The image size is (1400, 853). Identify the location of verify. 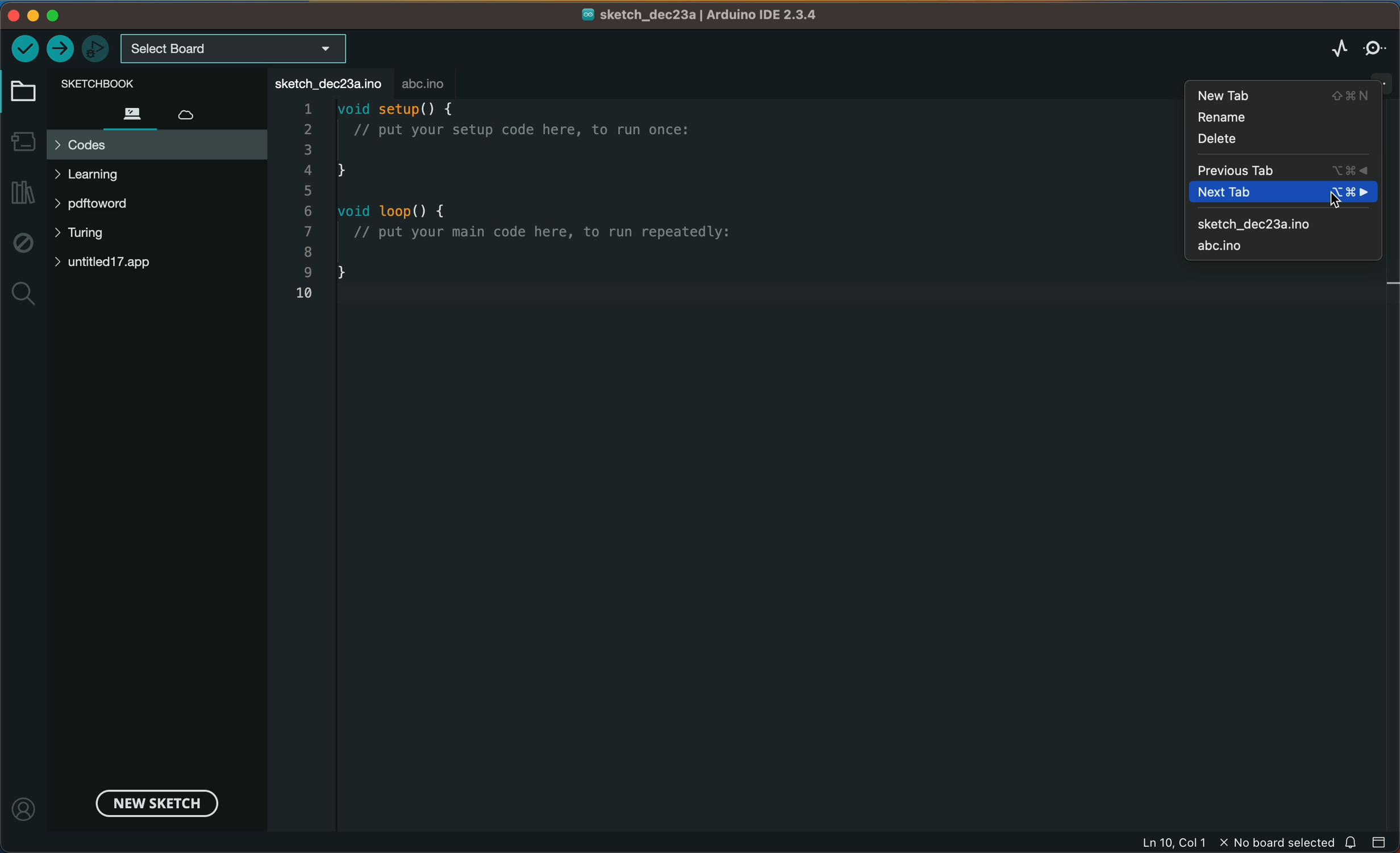
(27, 48).